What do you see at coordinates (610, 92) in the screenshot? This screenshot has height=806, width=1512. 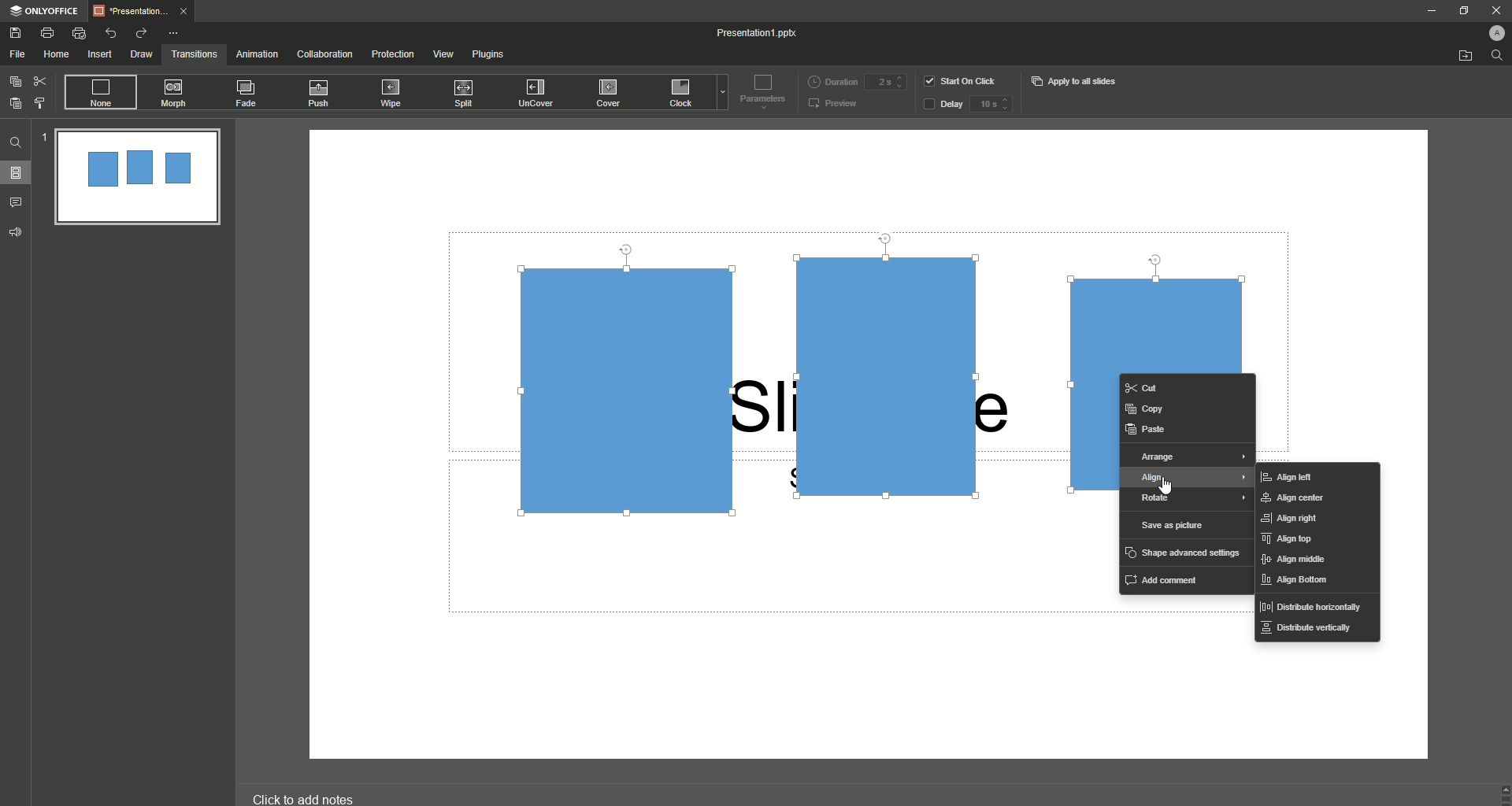 I see `Cover` at bounding box center [610, 92].